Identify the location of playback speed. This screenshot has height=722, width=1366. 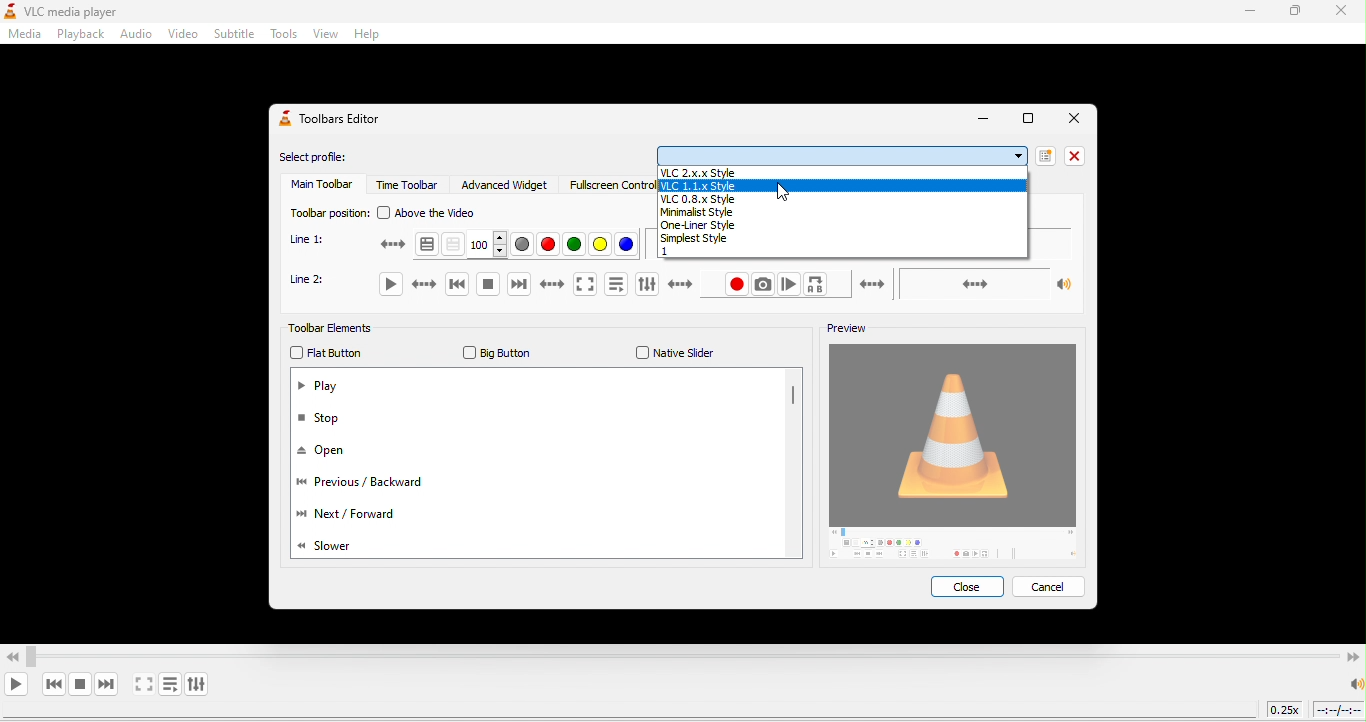
(1285, 712).